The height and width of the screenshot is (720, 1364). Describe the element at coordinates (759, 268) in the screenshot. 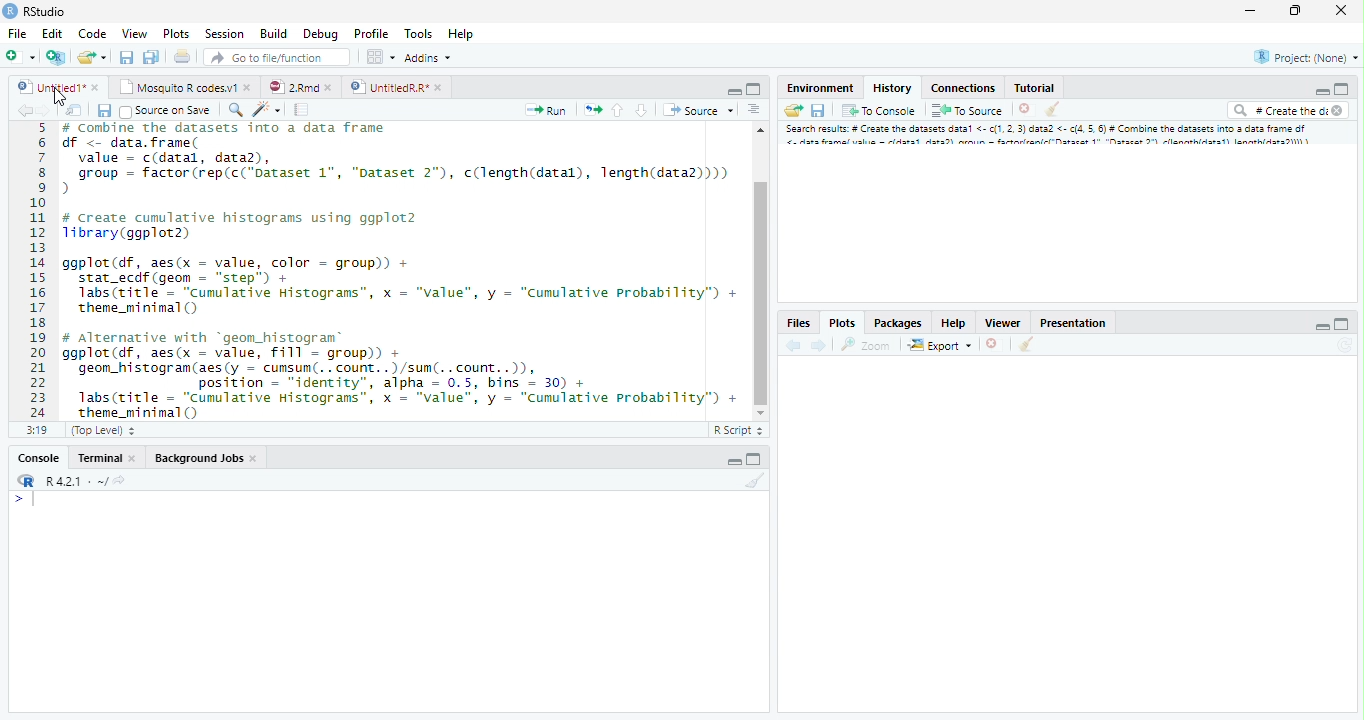

I see `Scrollbar` at that location.